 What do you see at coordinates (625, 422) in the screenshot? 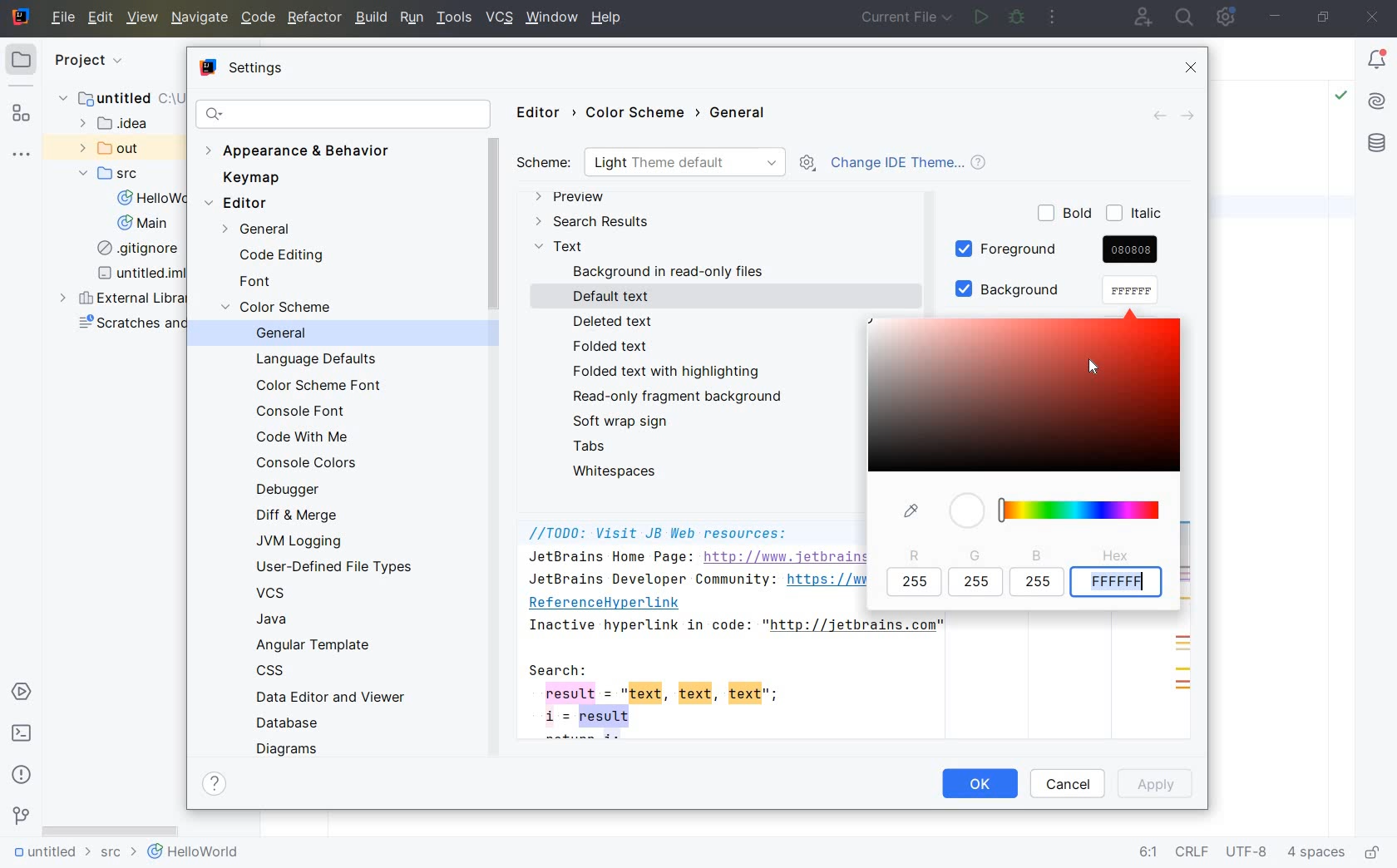
I see `SOFT WRAP SIGN` at bounding box center [625, 422].